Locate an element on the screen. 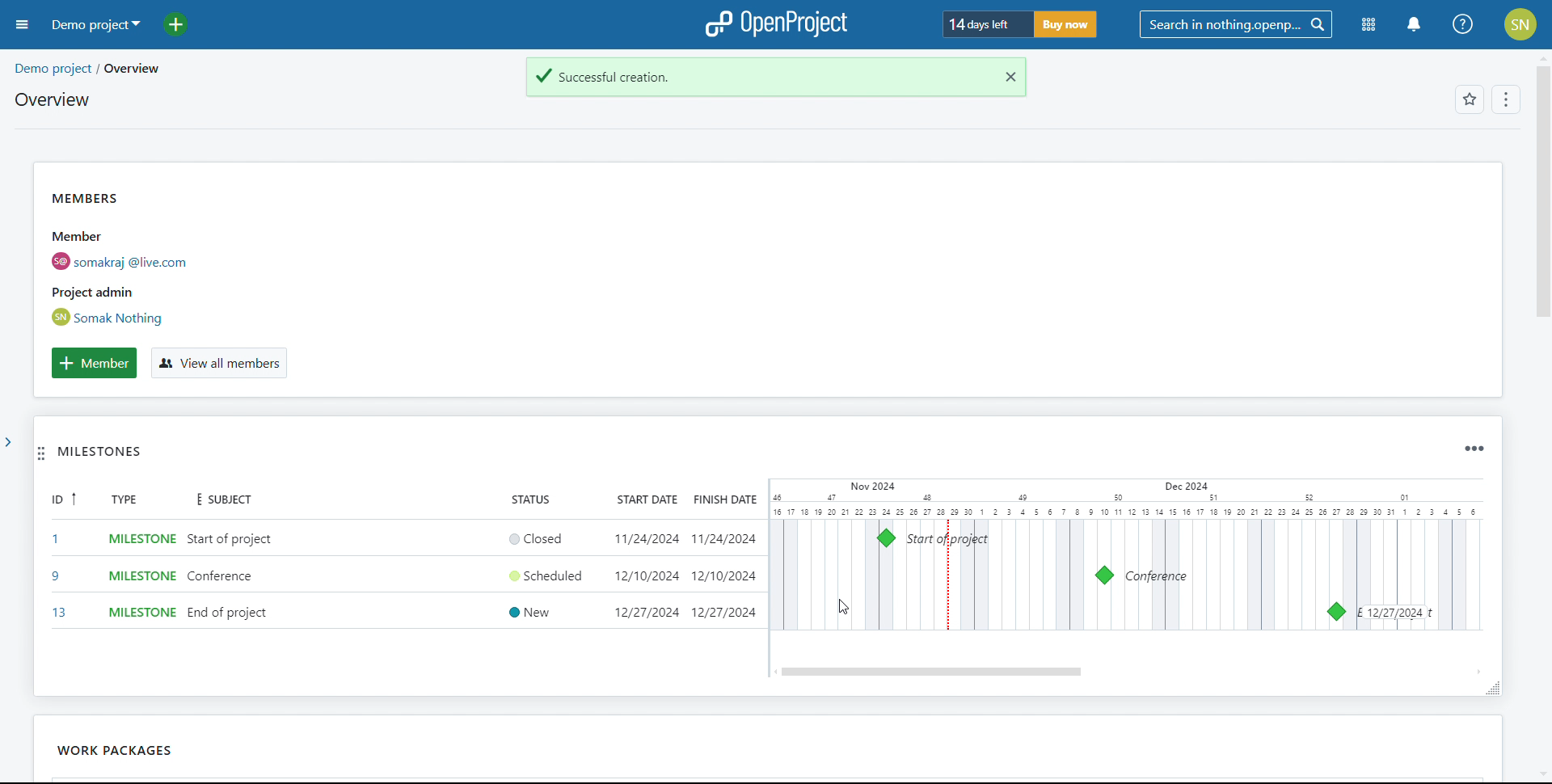 The width and height of the screenshot is (1552, 784). work packages is located at coordinates (116, 749).